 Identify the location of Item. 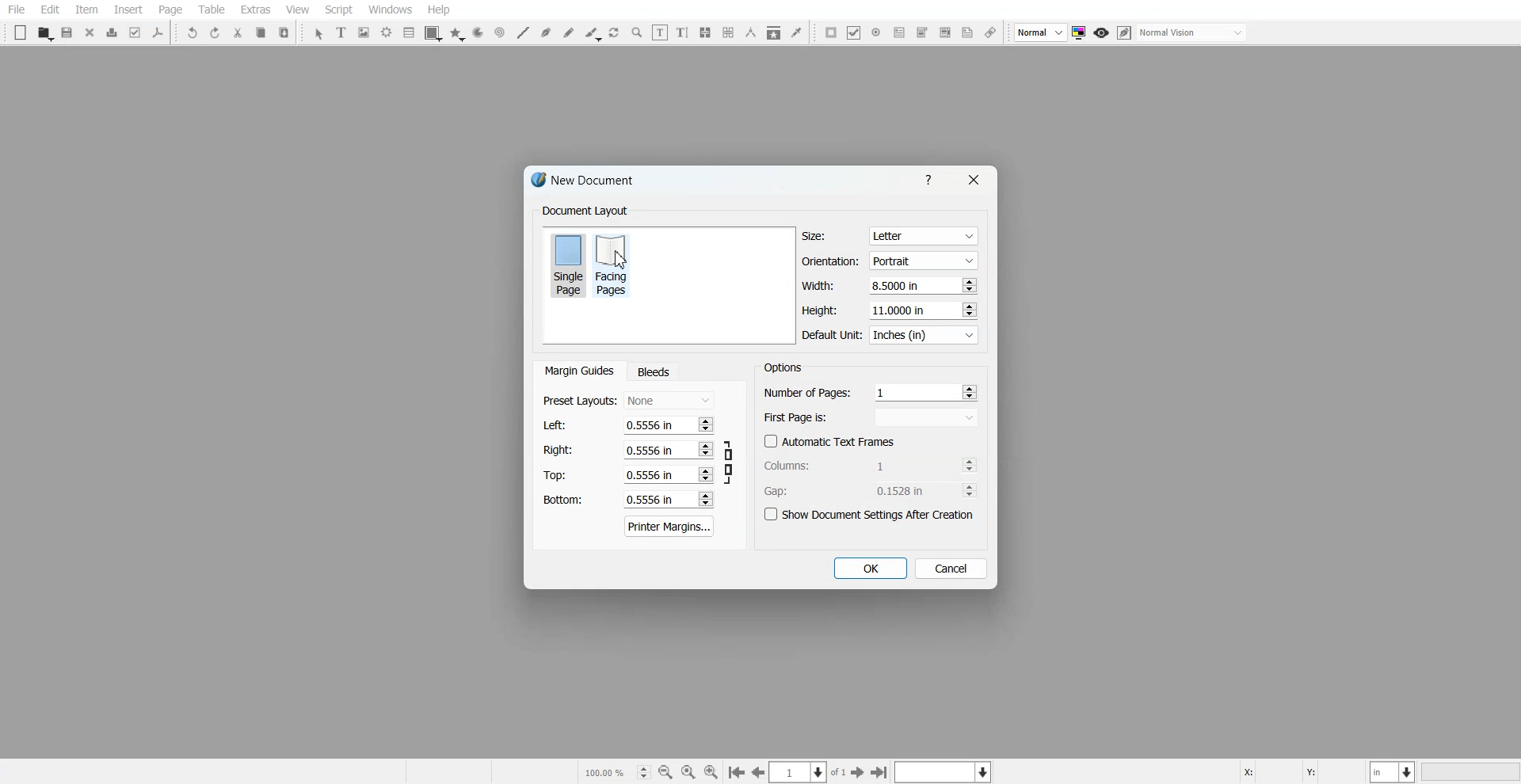
(86, 10).